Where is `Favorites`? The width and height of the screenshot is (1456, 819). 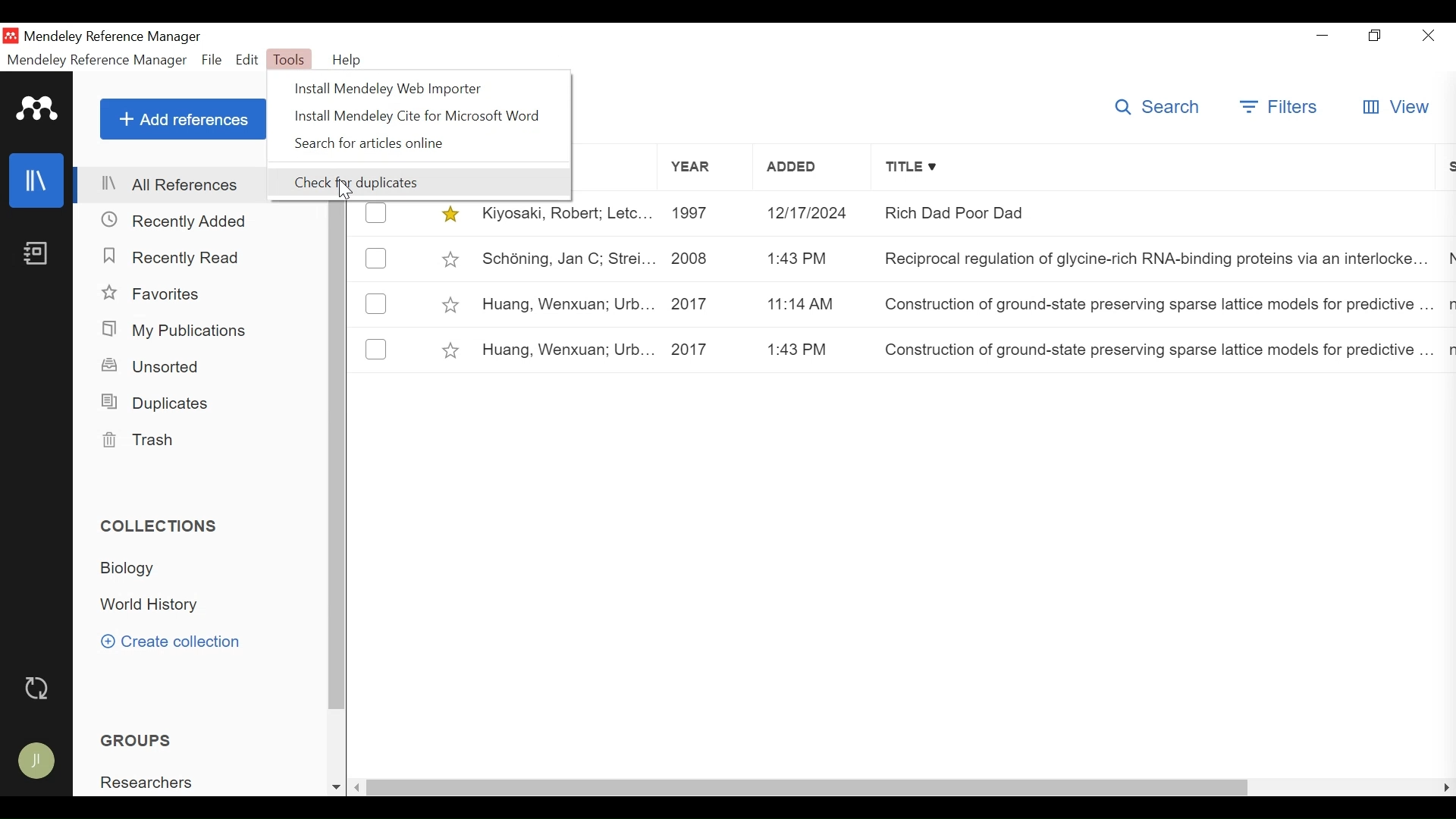
Favorites is located at coordinates (152, 294).